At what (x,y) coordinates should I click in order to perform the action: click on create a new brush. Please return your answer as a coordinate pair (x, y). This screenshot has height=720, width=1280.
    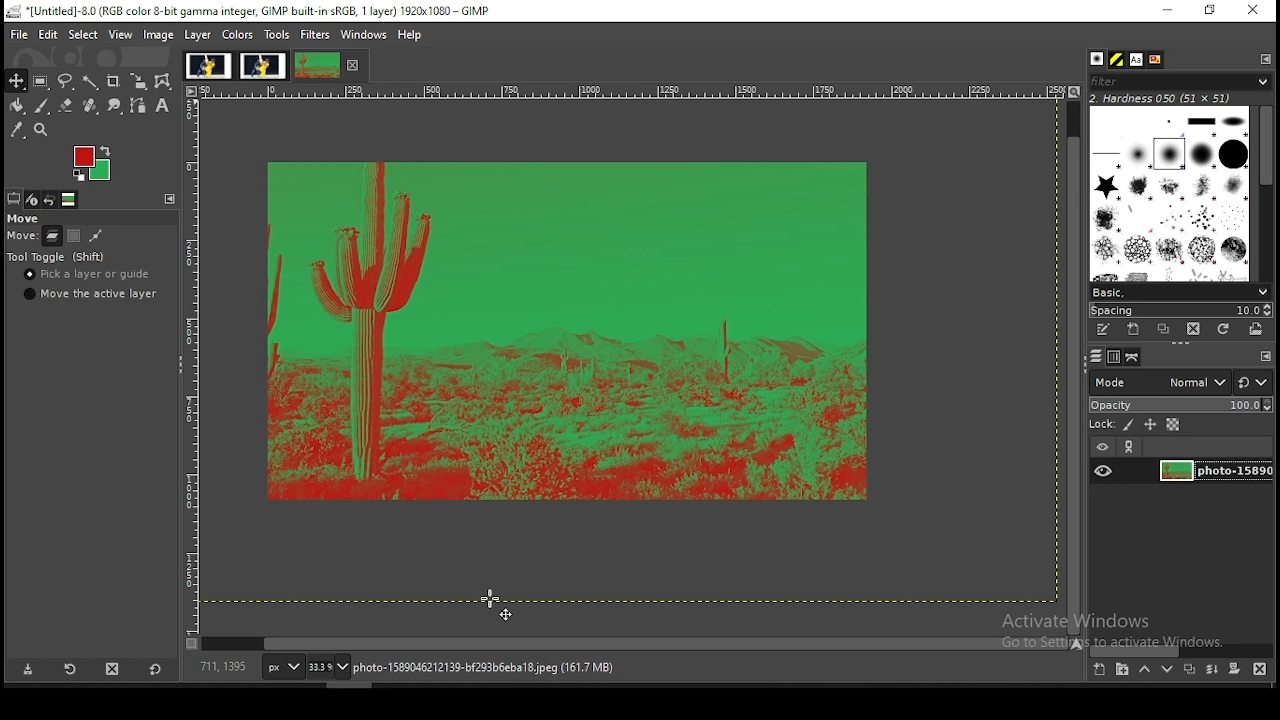
    Looking at the image, I should click on (1136, 330).